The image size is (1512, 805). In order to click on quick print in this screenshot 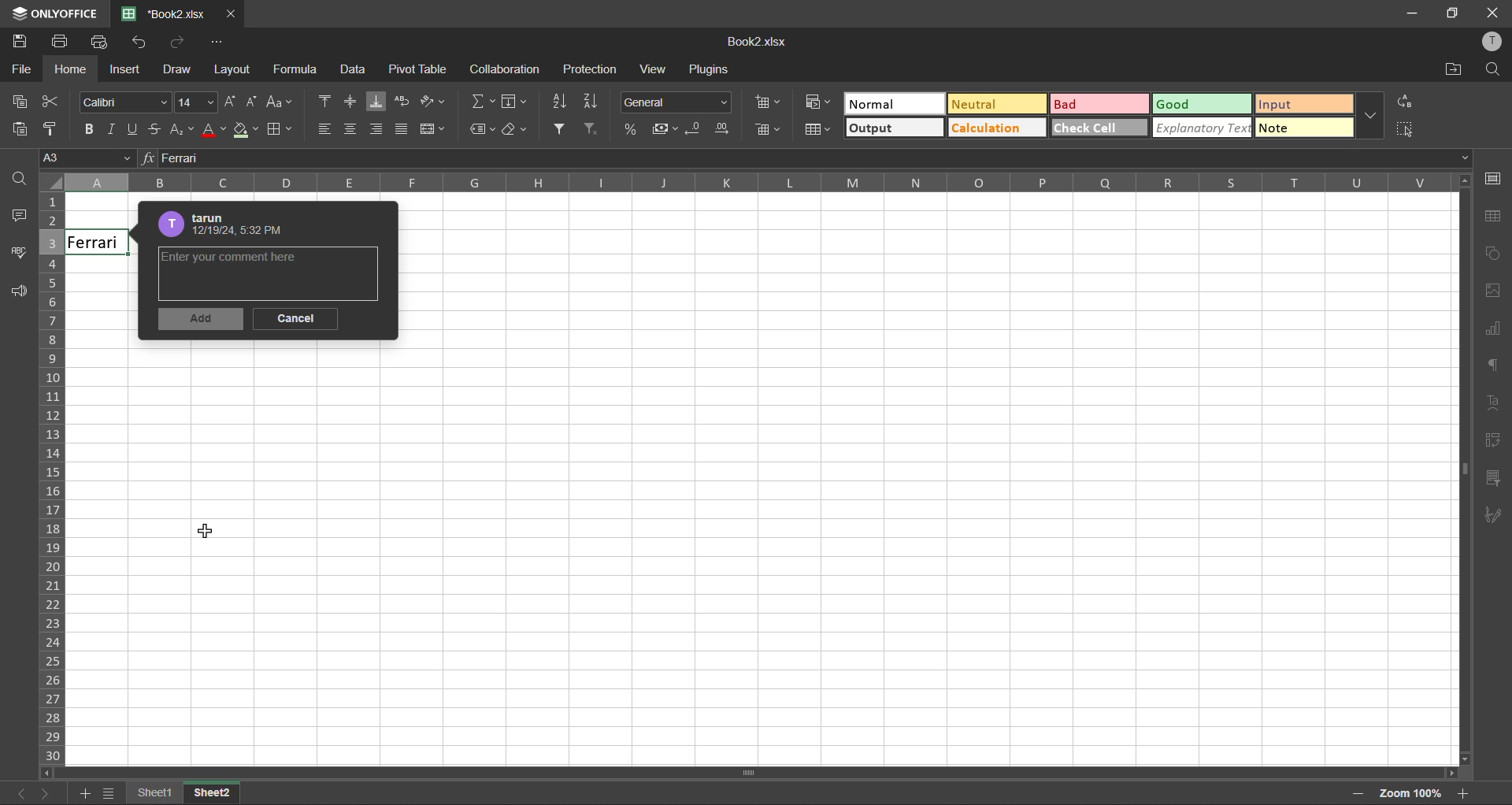, I will do `click(97, 42)`.